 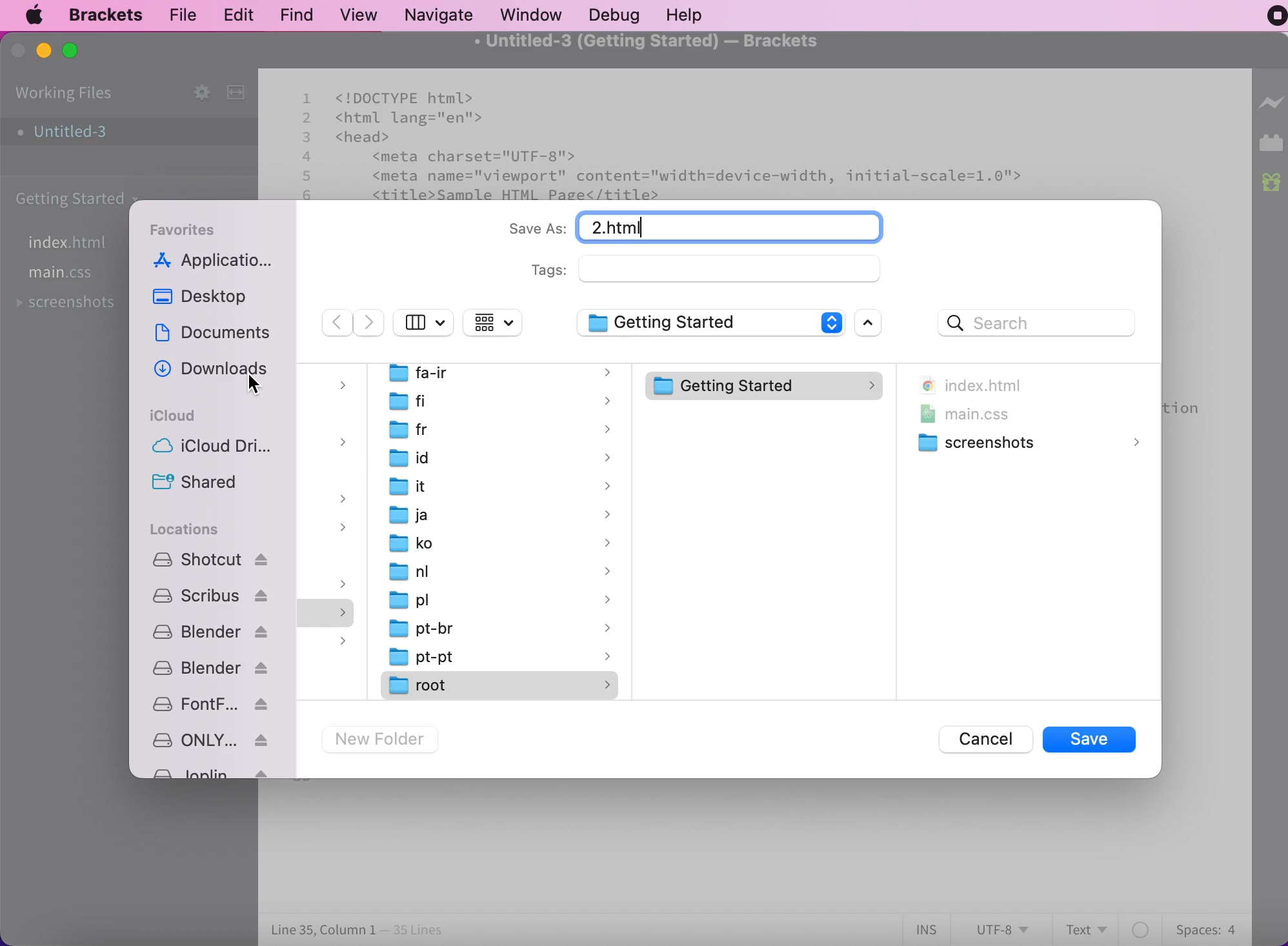 What do you see at coordinates (197, 90) in the screenshot?
I see `configure working set` at bounding box center [197, 90].